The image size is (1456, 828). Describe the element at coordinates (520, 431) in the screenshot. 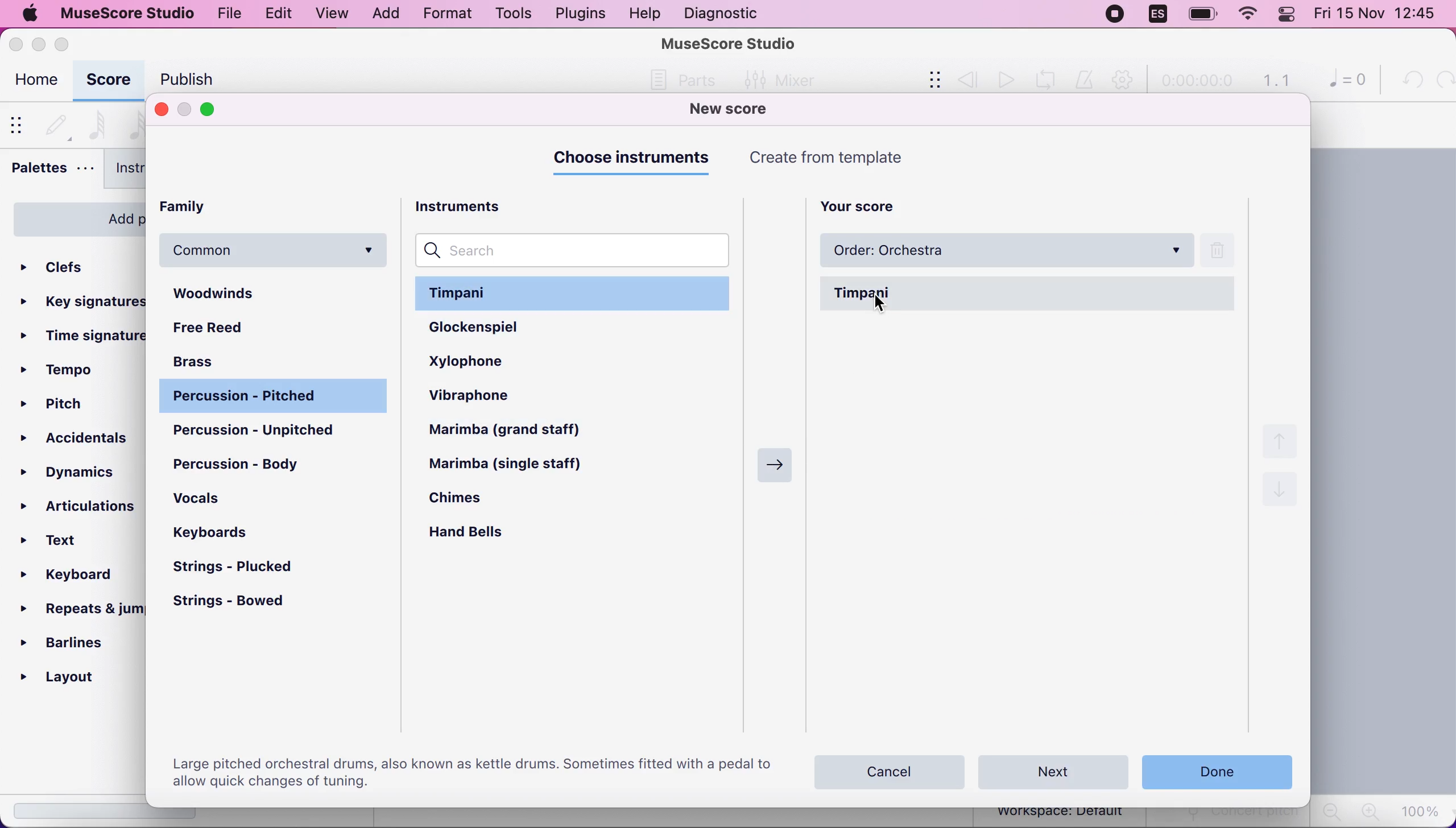

I see `marimba (grand staff)` at that location.